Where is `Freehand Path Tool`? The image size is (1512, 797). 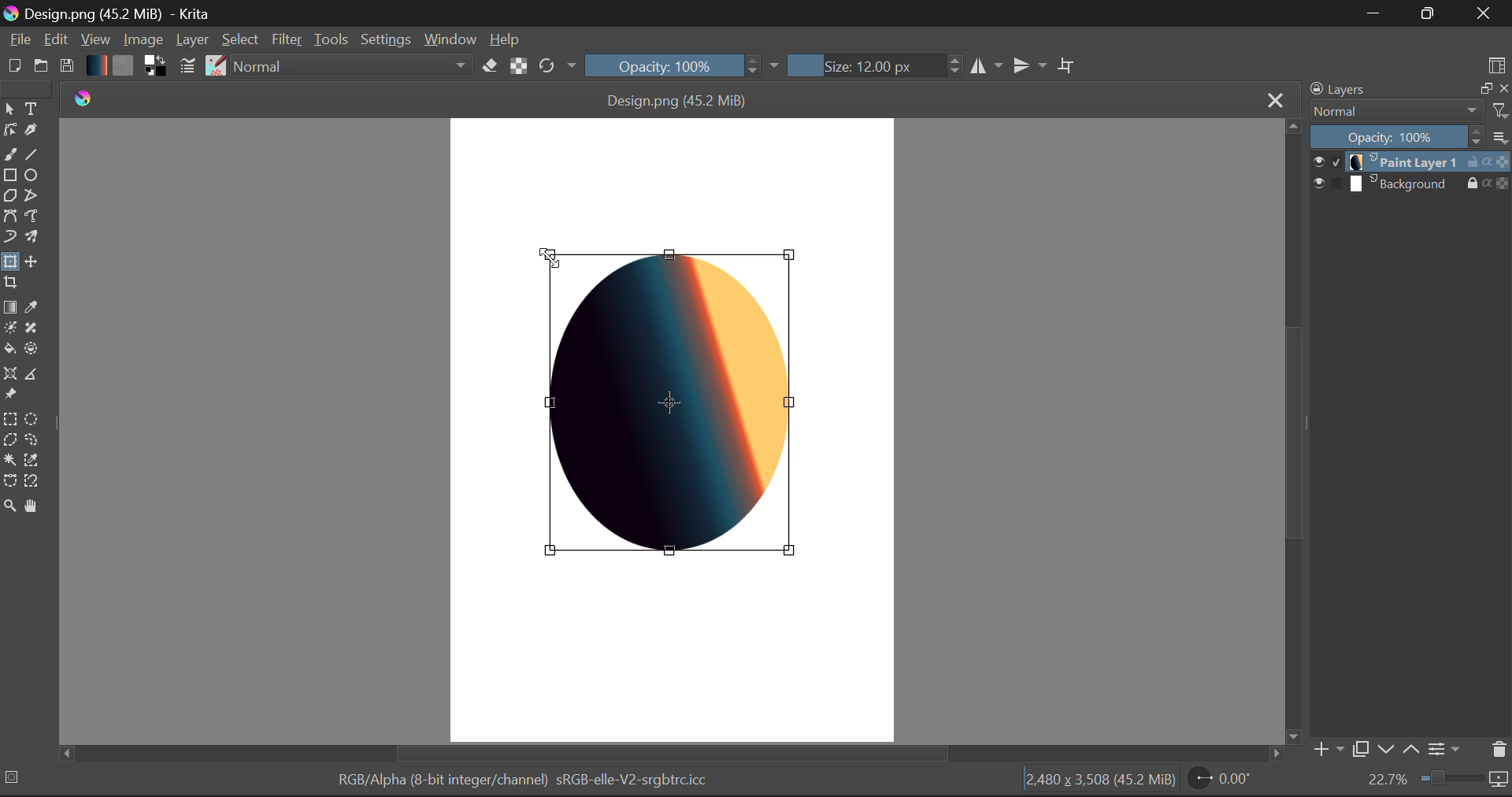
Freehand Path Tool is located at coordinates (32, 217).